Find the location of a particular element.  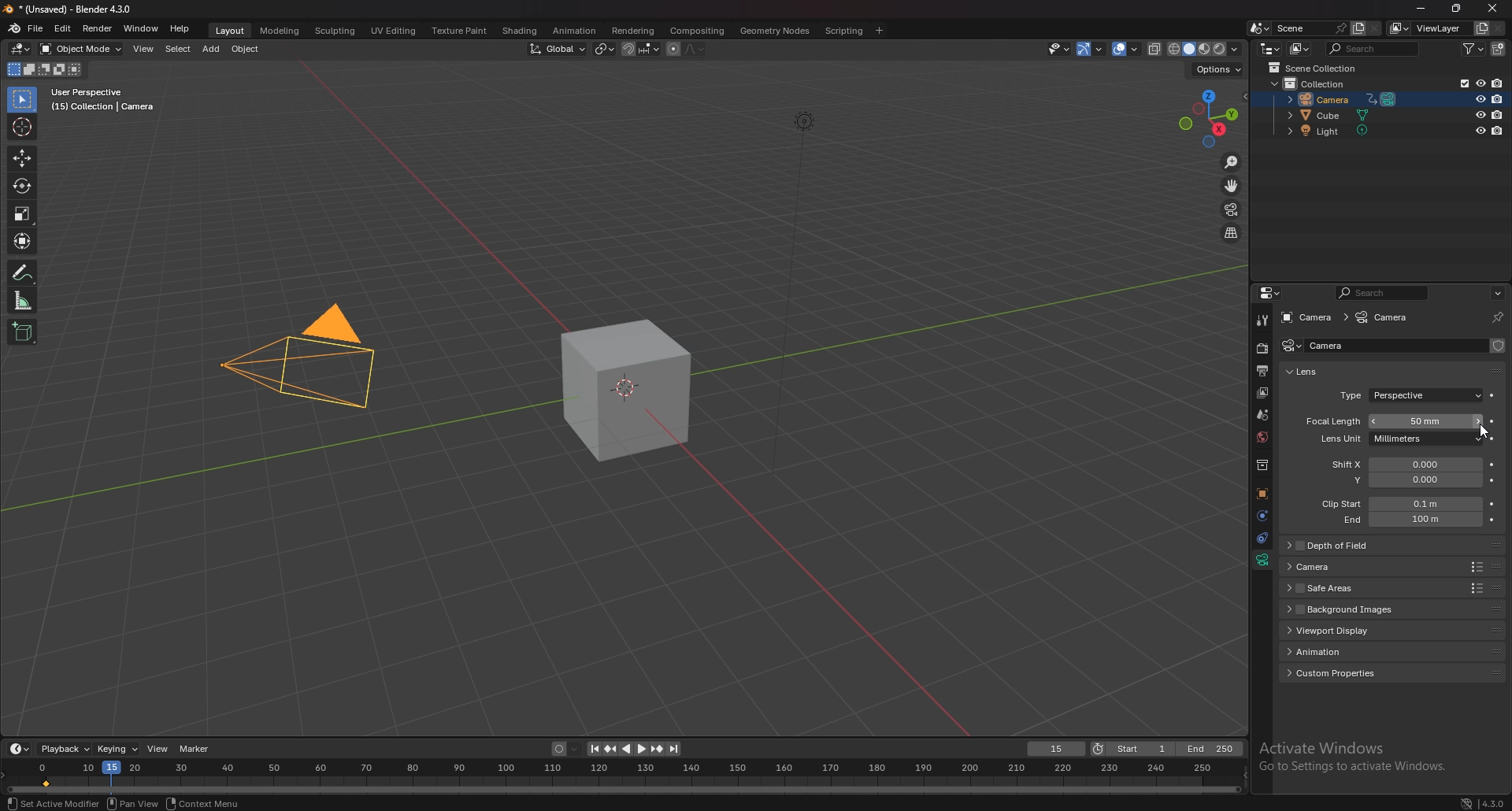

Close is located at coordinates (1490, 9).